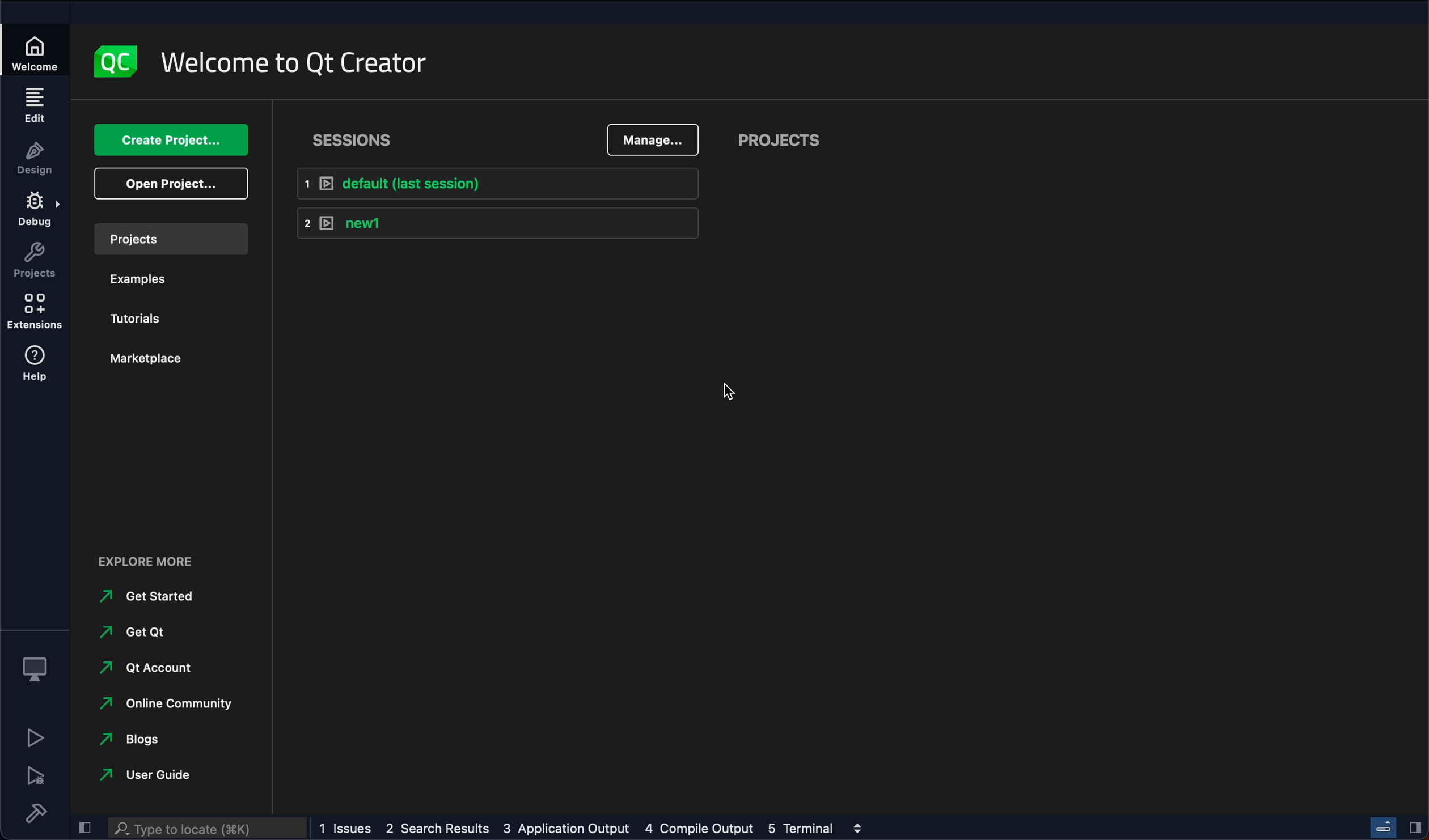 The height and width of the screenshot is (840, 1429). Describe the element at coordinates (170, 186) in the screenshot. I see `open ` at that location.